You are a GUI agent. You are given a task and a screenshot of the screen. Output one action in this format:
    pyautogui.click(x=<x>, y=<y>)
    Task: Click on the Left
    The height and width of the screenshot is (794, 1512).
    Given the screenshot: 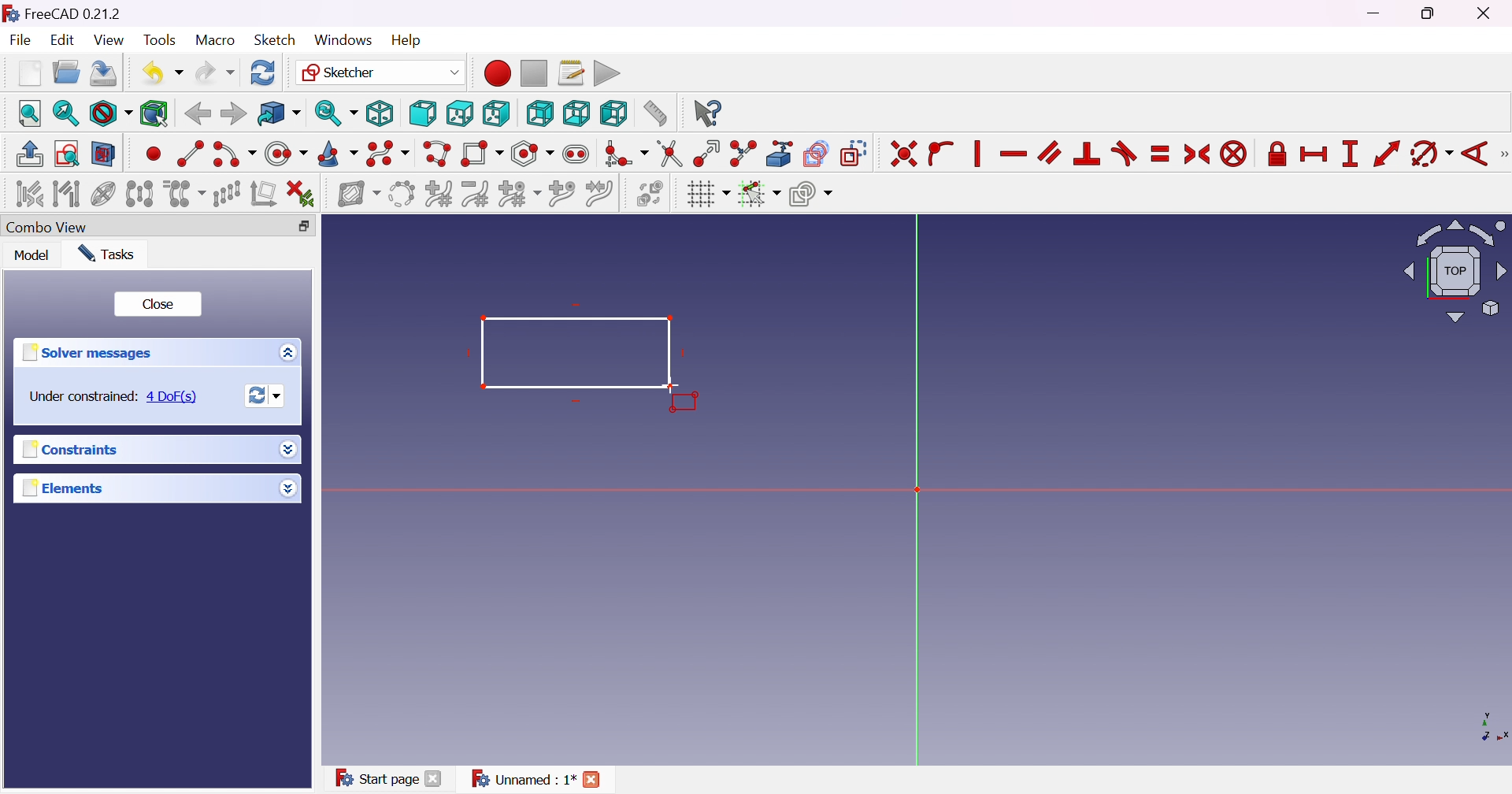 What is the action you would take?
    pyautogui.click(x=614, y=113)
    